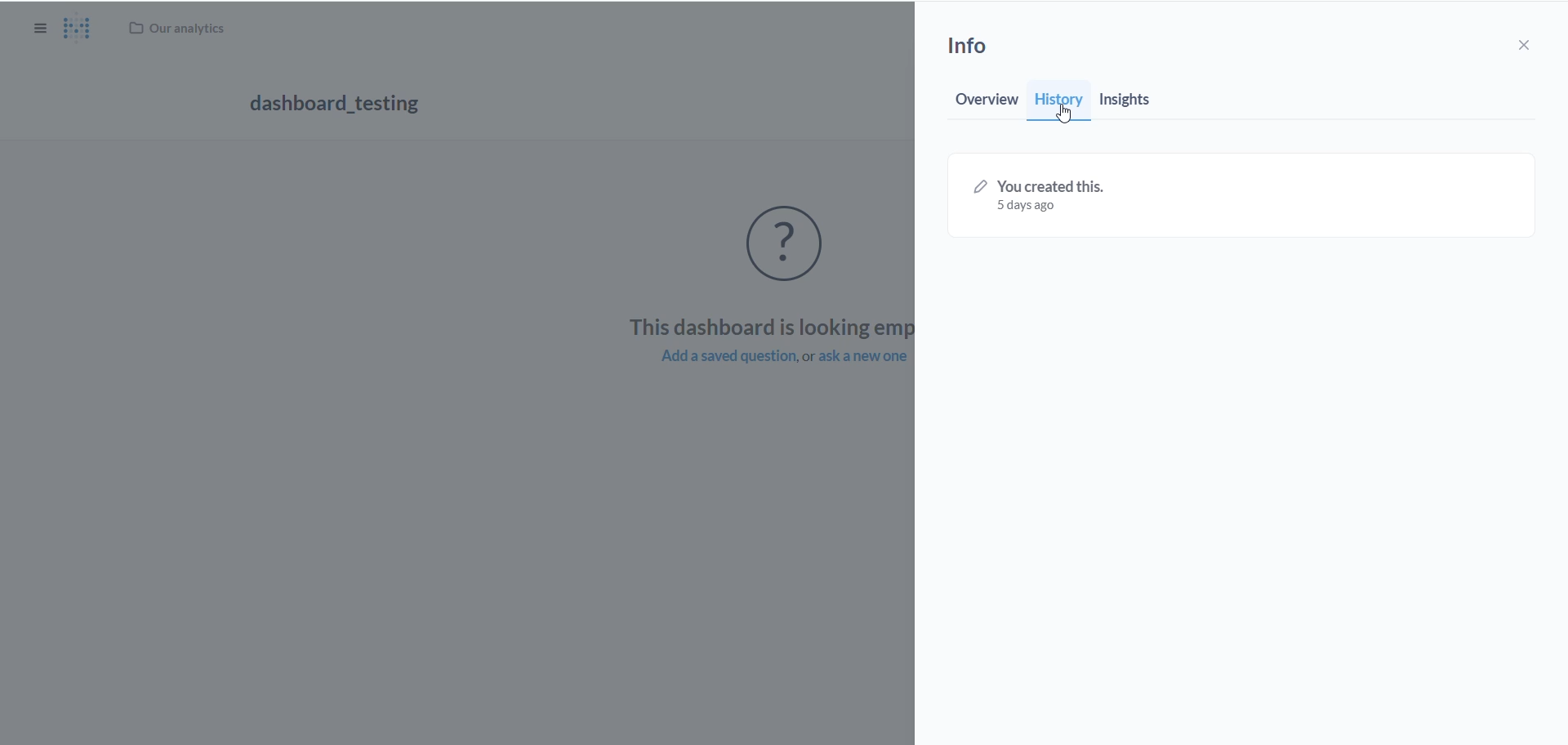 The width and height of the screenshot is (1568, 745). What do you see at coordinates (336, 106) in the screenshot?
I see `dashboard_testing ` at bounding box center [336, 106].